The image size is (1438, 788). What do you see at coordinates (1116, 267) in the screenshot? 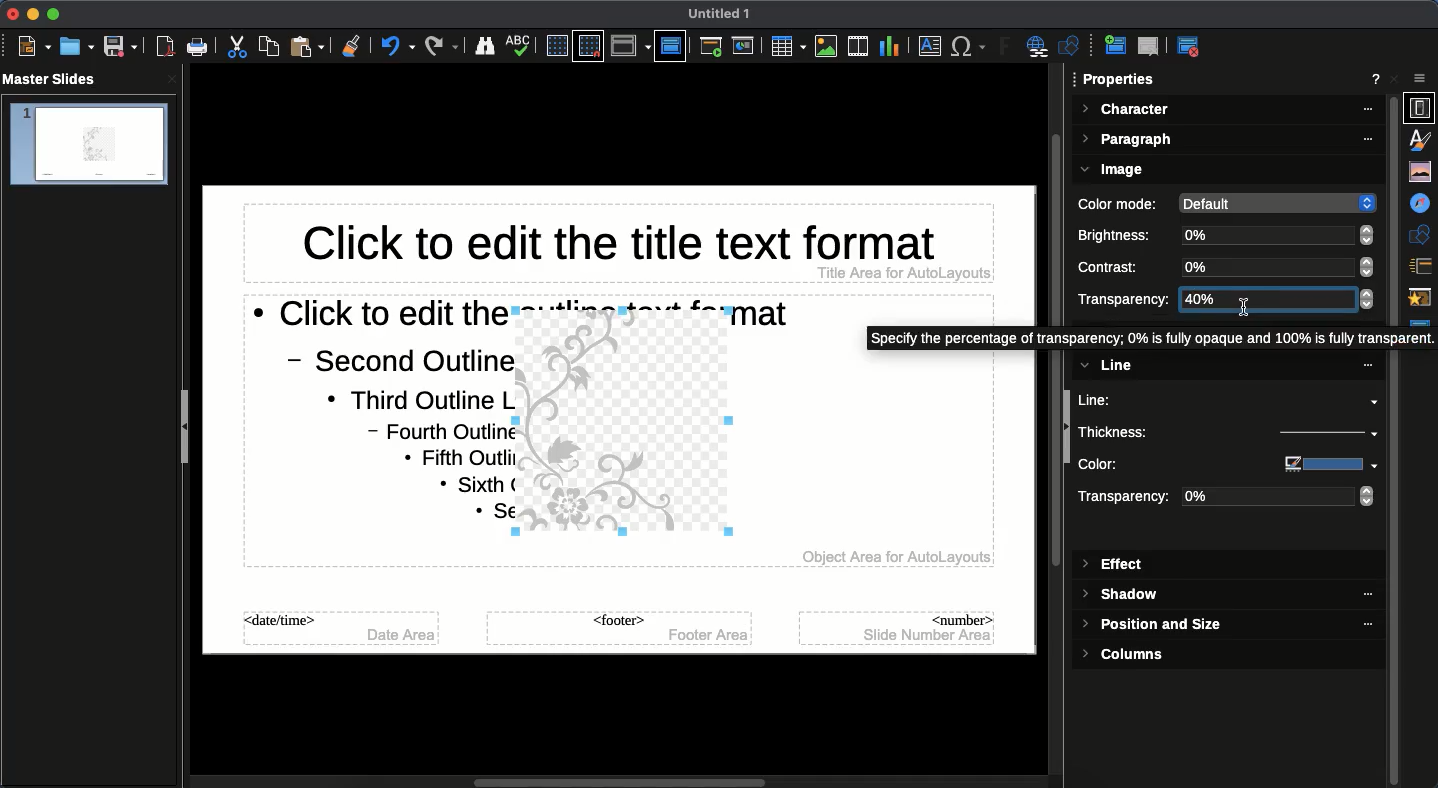
I see `Contrast` at bounding box center [1116, 267].